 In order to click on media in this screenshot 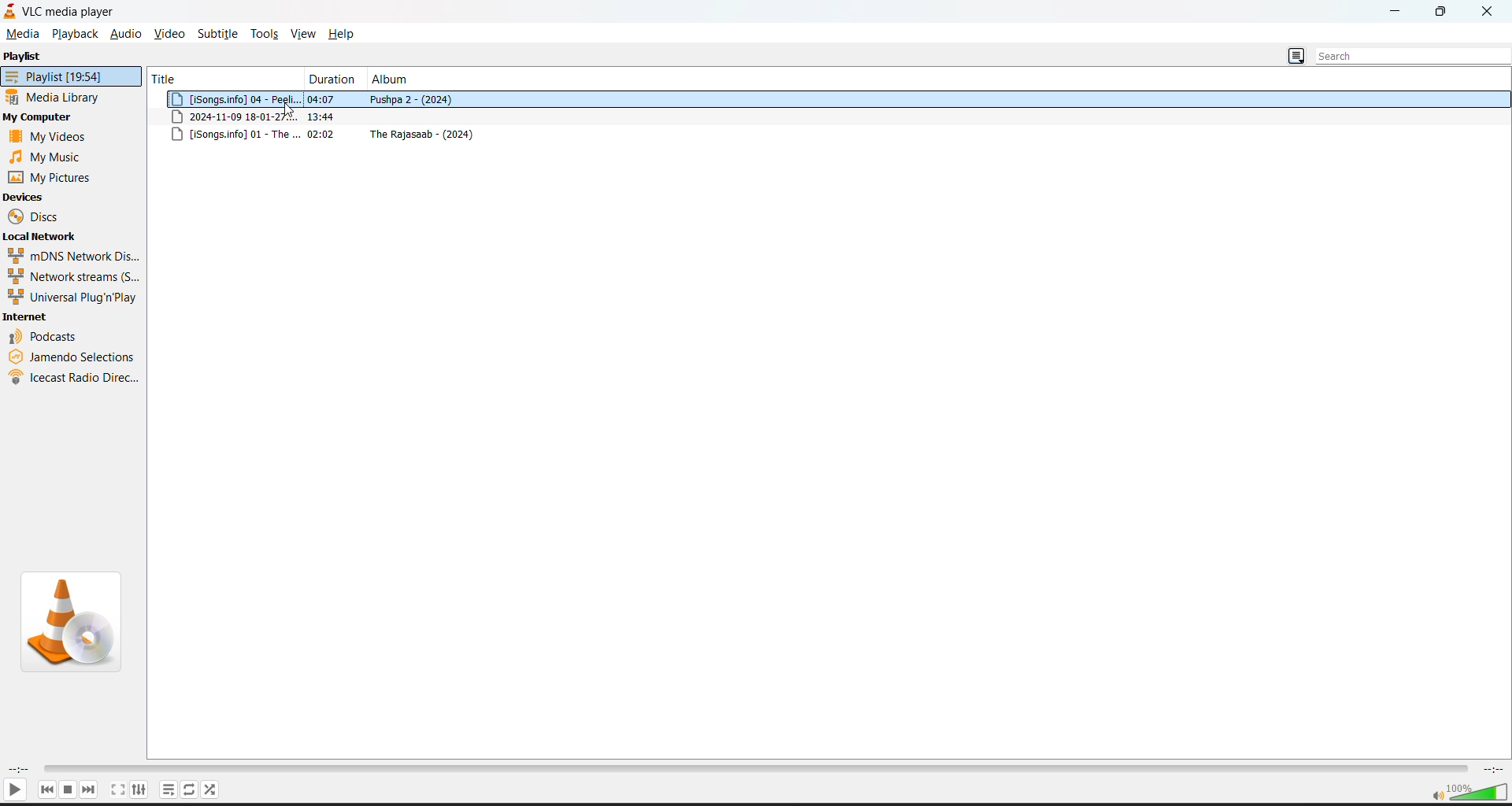, I will do `click(24, 34)`.